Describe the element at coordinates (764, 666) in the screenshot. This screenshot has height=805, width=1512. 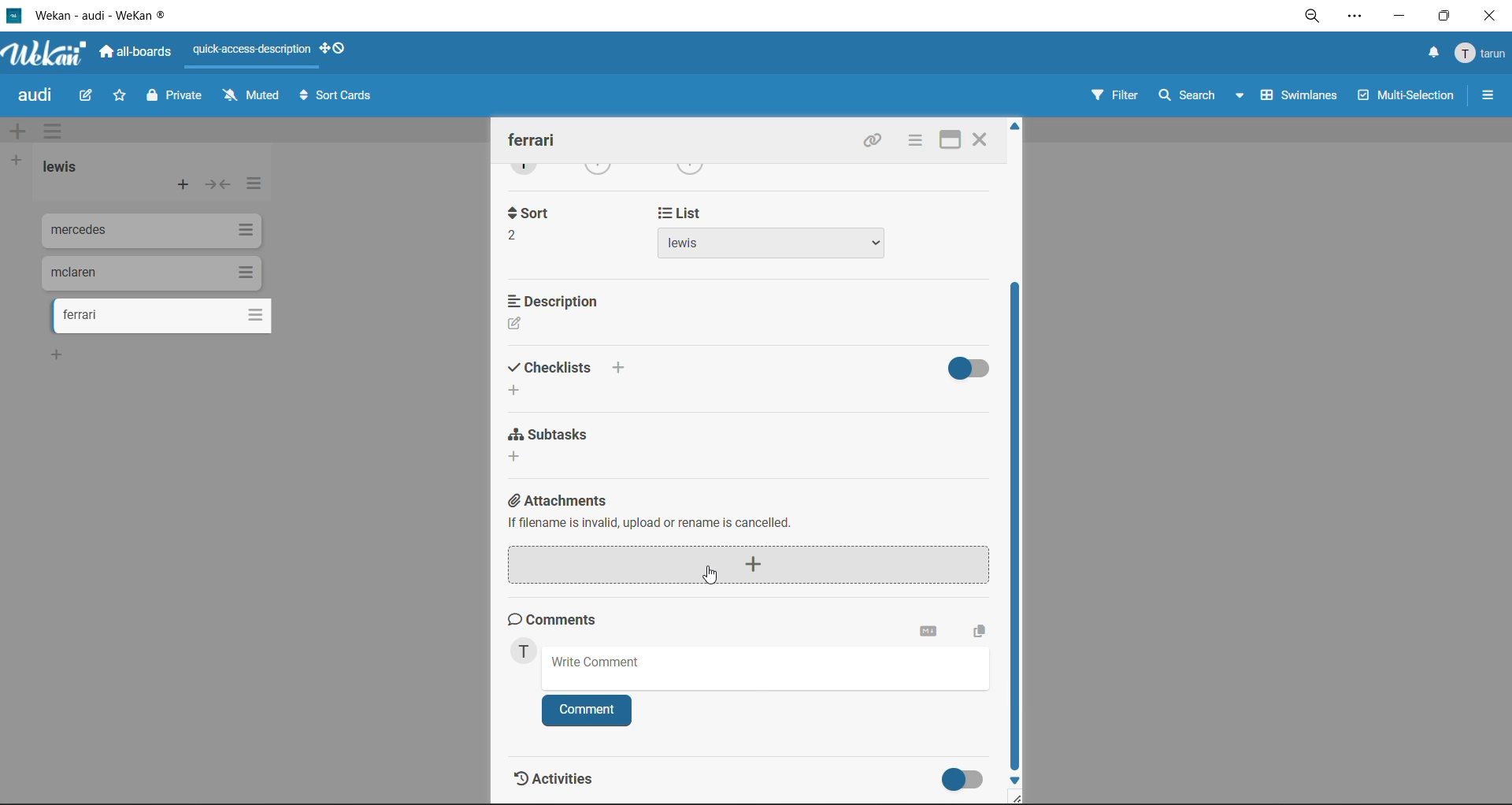
I see `comment box` at that location.